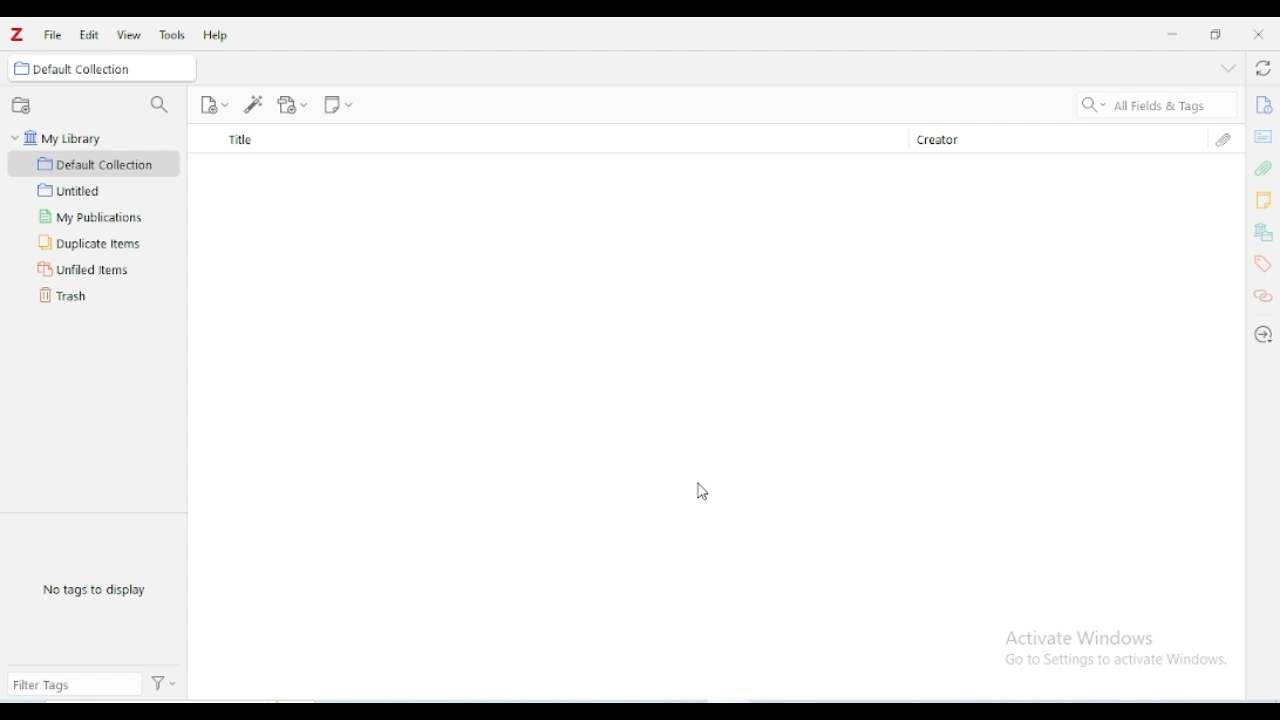 The image size is (1280, 720). Describe the element at coordinates (74, 685) in the screenshot. I see `filter tags` at that location.